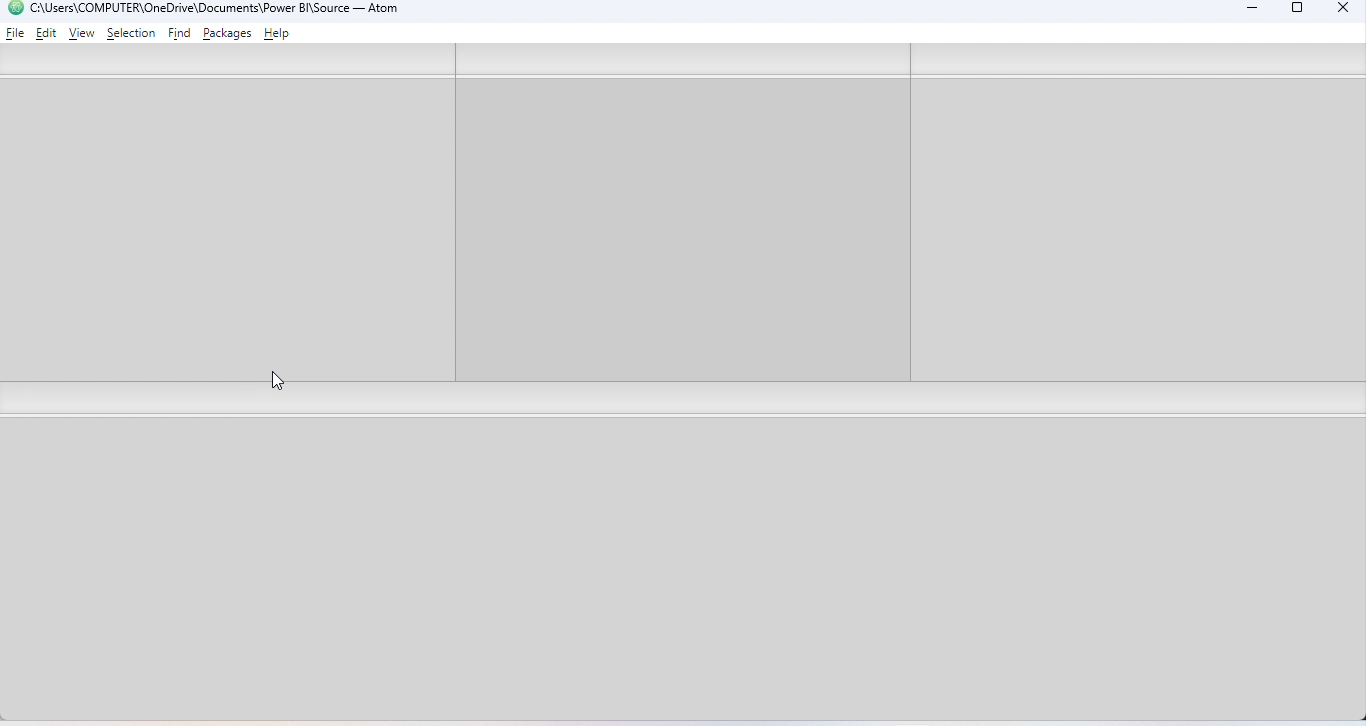 The width and height of the screenshot is (1366, 726). What do you see at coordinates (280, 35) in the screenshot?
I see `Help` at bounding box center [280, 35].